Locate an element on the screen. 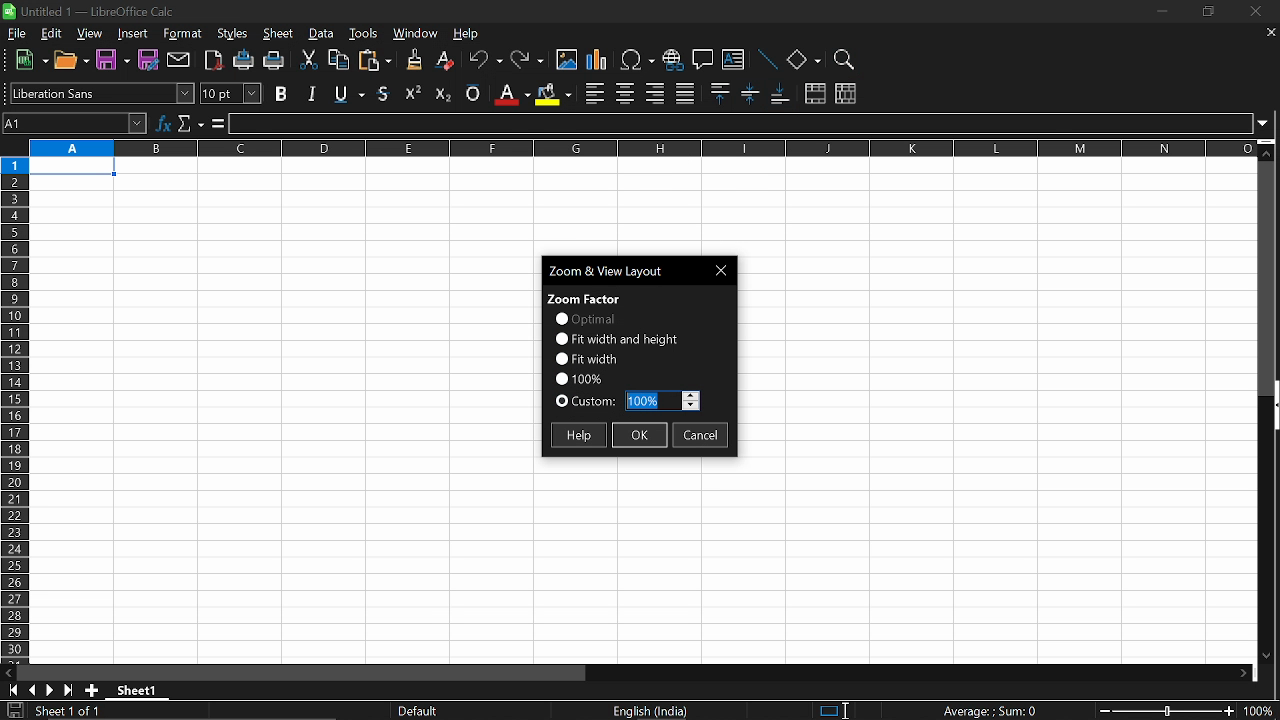 Image resolution: width=1280 pixels, height=720 pixels. close is located at coordinates (1252, 13).